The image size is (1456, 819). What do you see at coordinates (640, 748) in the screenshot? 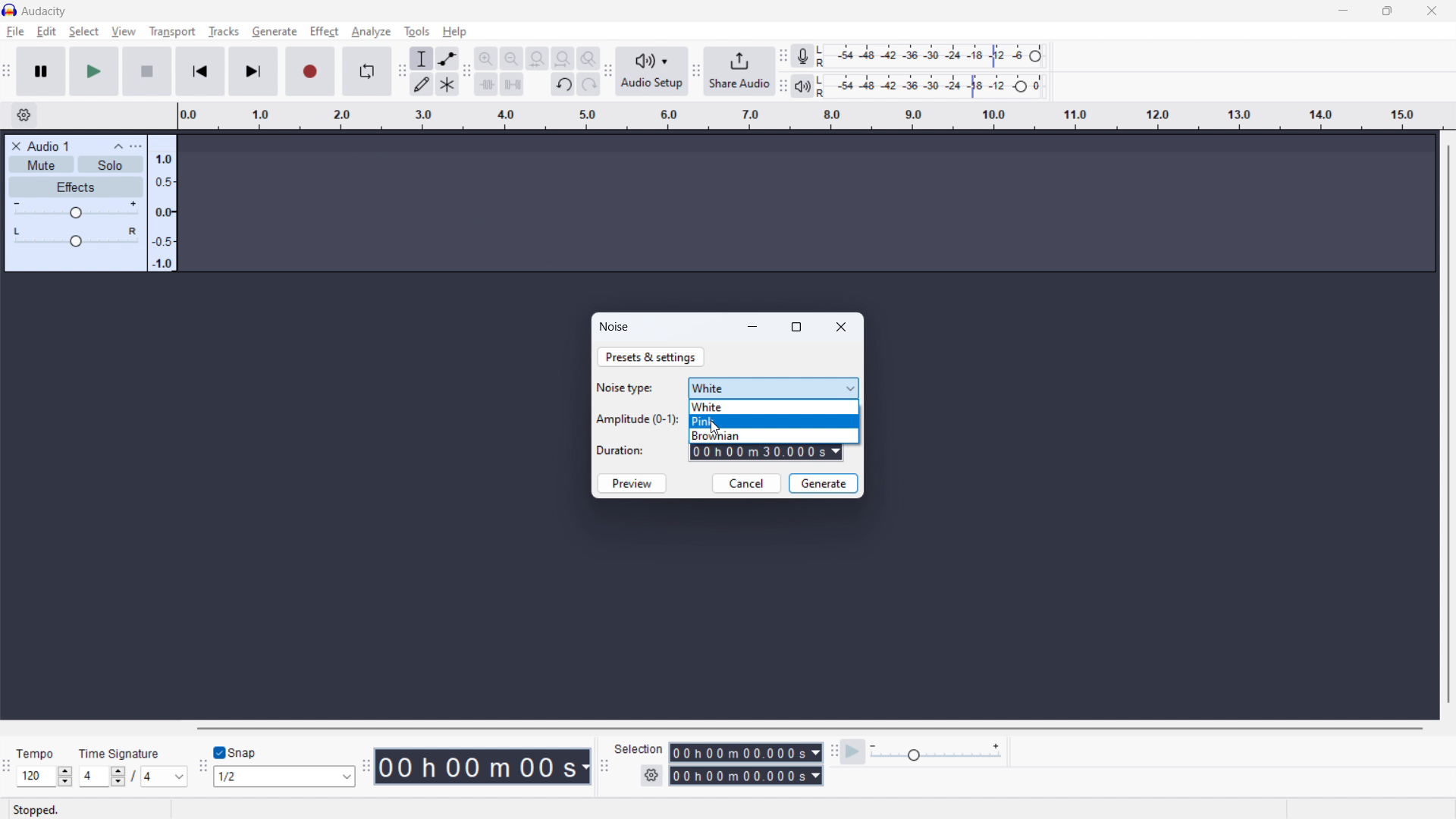
I see `Selection` at bounding box center [640, 748].